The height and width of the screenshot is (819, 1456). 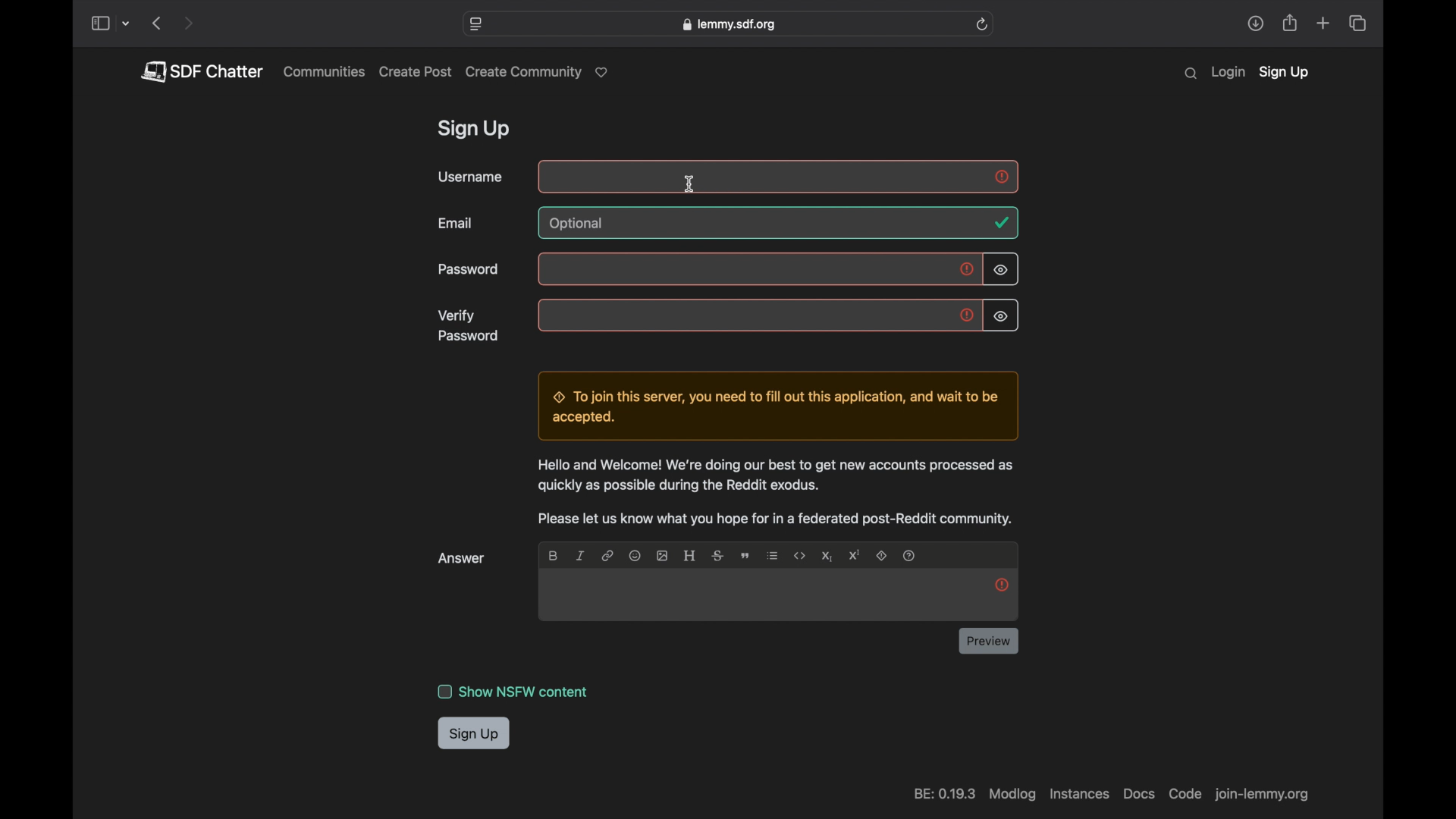 I want to click on show tab overview, so click(x=1357, y=24).